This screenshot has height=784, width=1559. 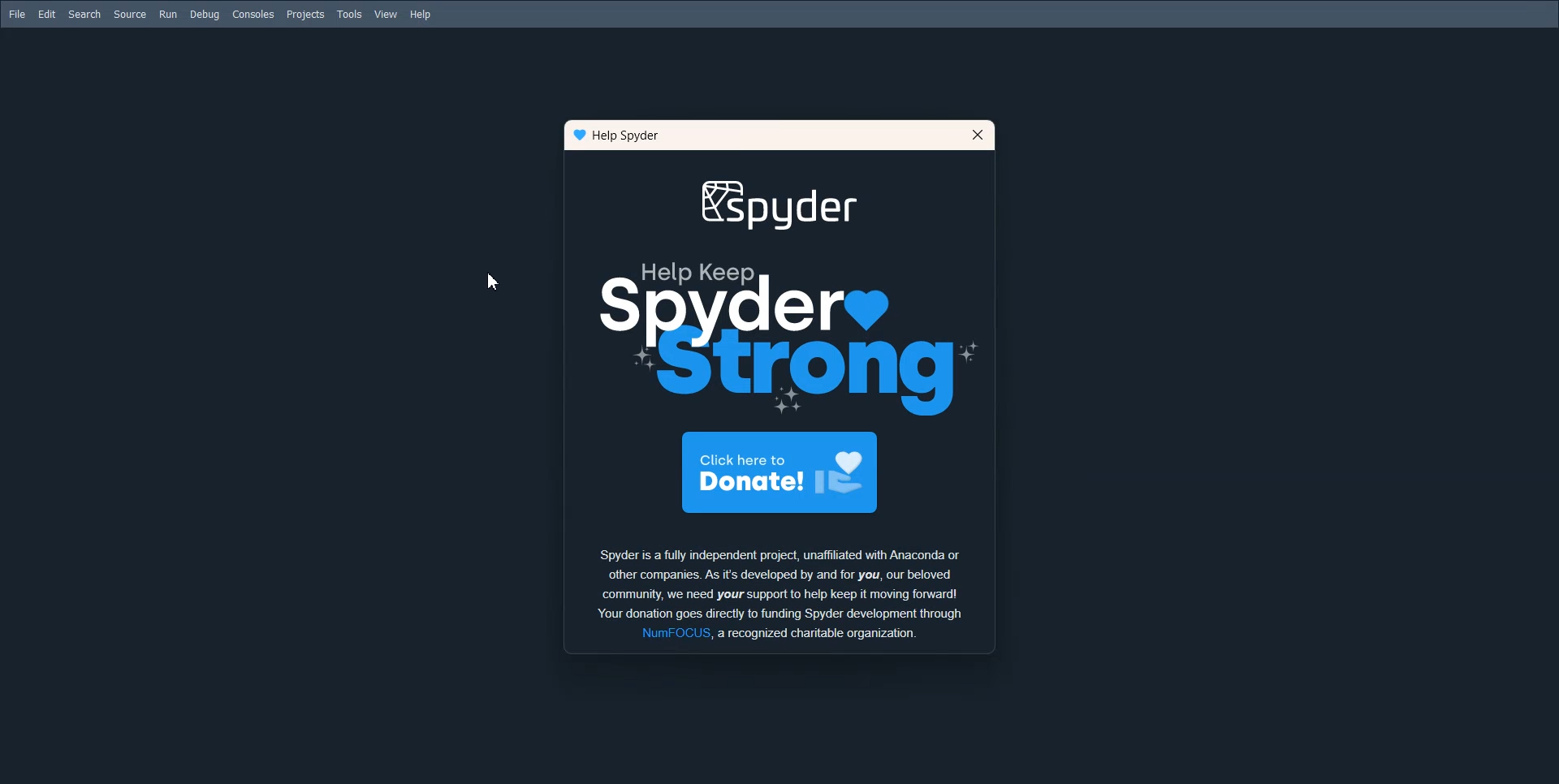 What do you see at coordinates (784, 295) in the screenshot?
I see `help keep spyder strong` at bounding box center [784, 295].